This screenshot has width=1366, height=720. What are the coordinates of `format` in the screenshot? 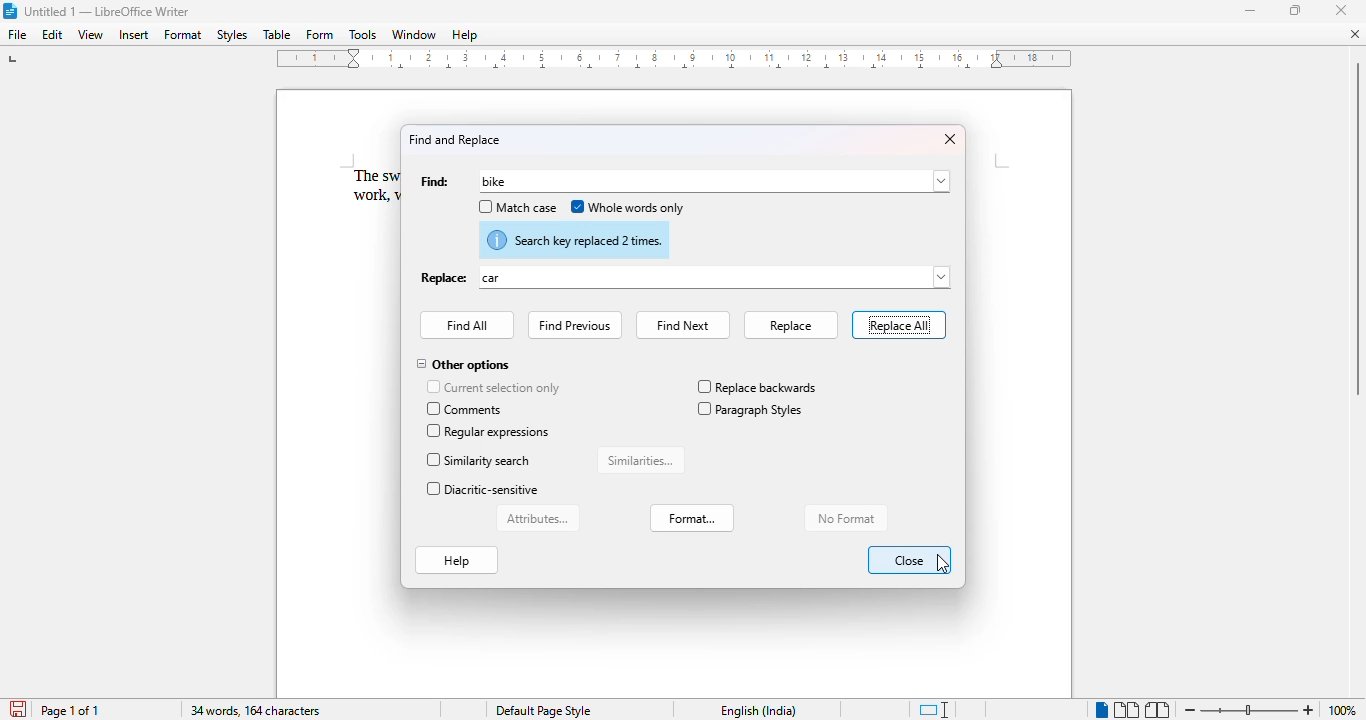 It's located at (692, 517).